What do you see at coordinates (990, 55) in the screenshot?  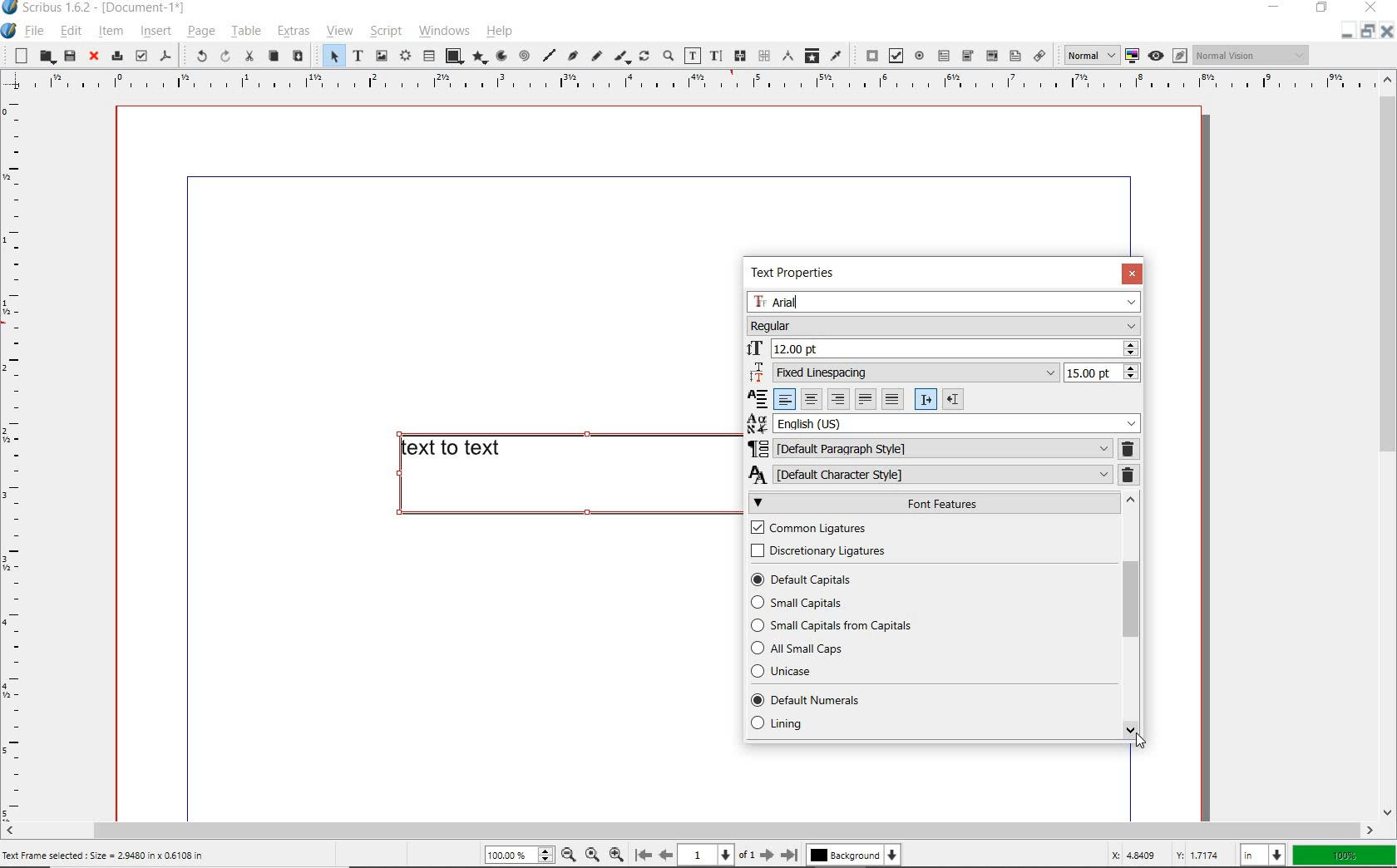 I see `pdf list box` at bounding box center [990, 55].